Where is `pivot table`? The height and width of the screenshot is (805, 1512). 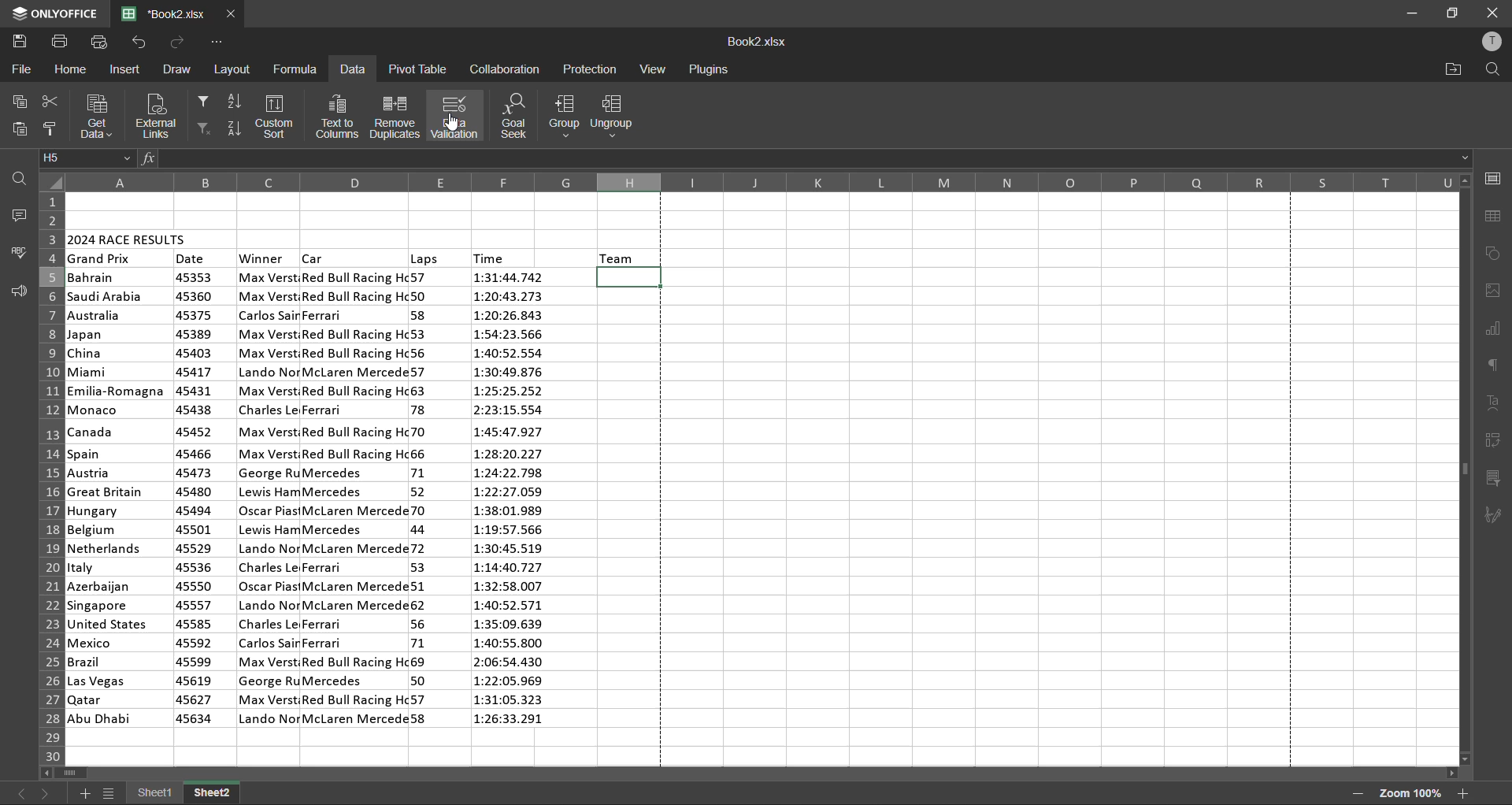
pivot table is located at coordinates (416, 69).